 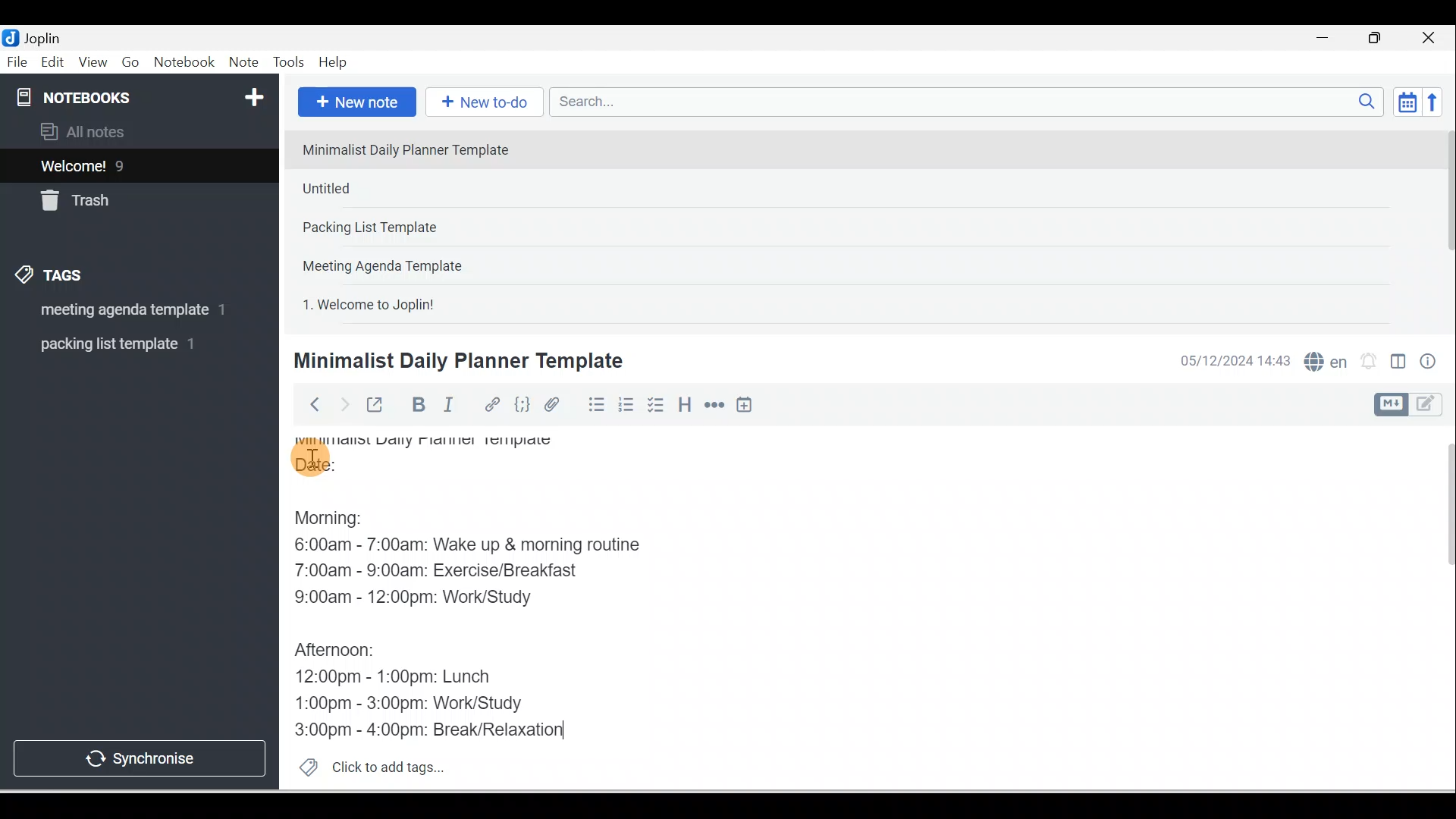 What do you see at coordinates (1327, 39) in the screenshot?
I see `Minimise` at bounding box center [1327, 39].